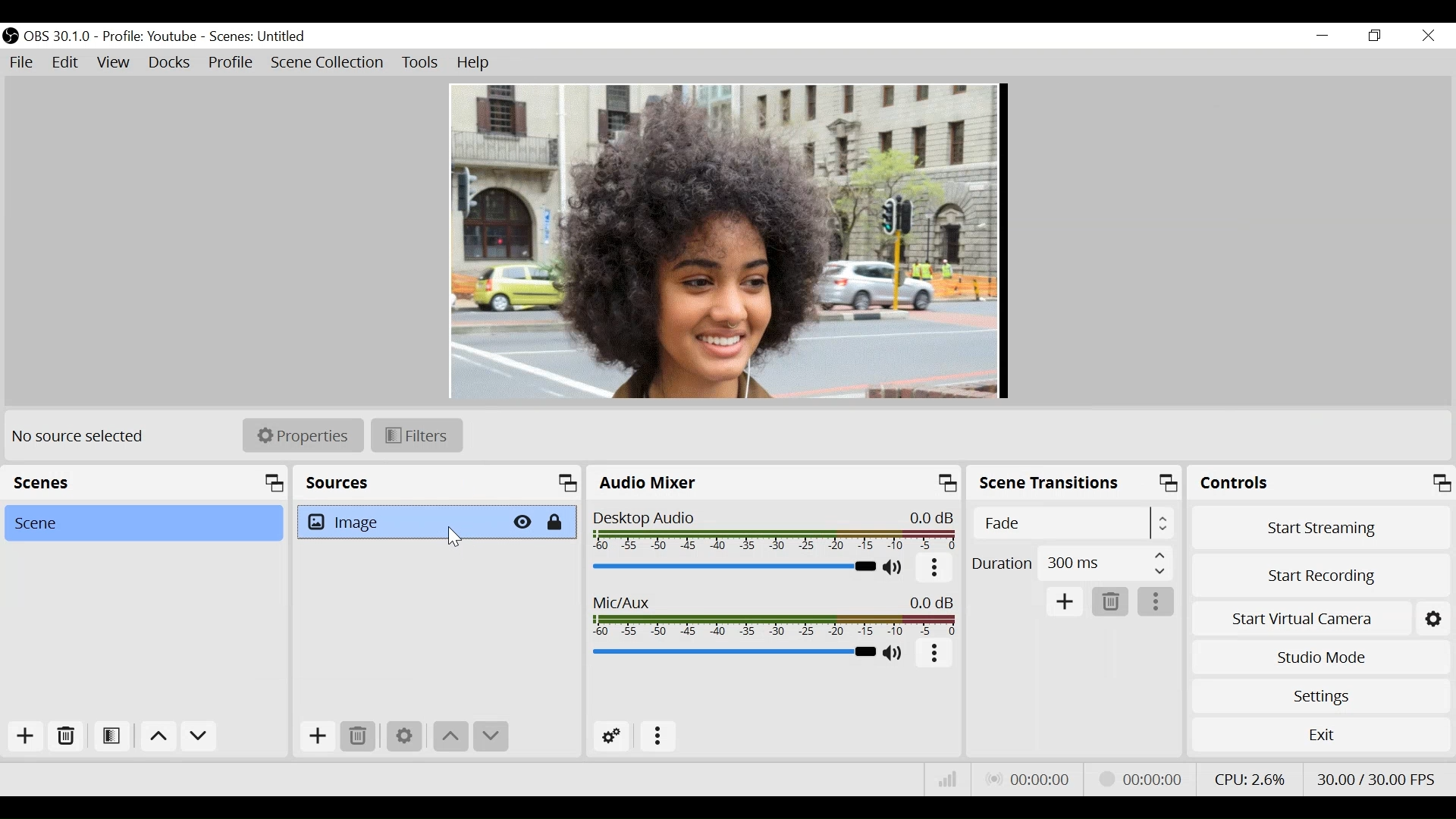 The image size is (1456, 819). Describe the element at coordinates (772, 482) in the screenshot. I see `Audio Mixer` at that location.